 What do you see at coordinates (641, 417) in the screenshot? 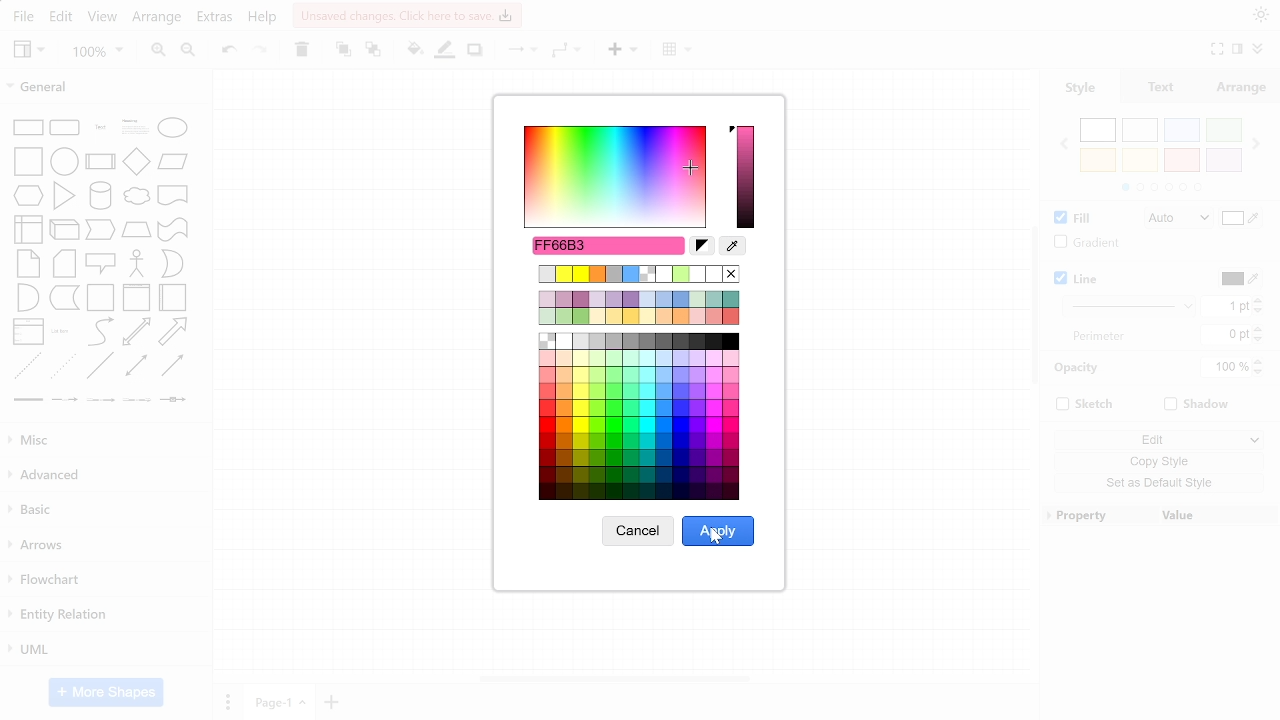
I see `All colors` at bounding box center [641, 417].